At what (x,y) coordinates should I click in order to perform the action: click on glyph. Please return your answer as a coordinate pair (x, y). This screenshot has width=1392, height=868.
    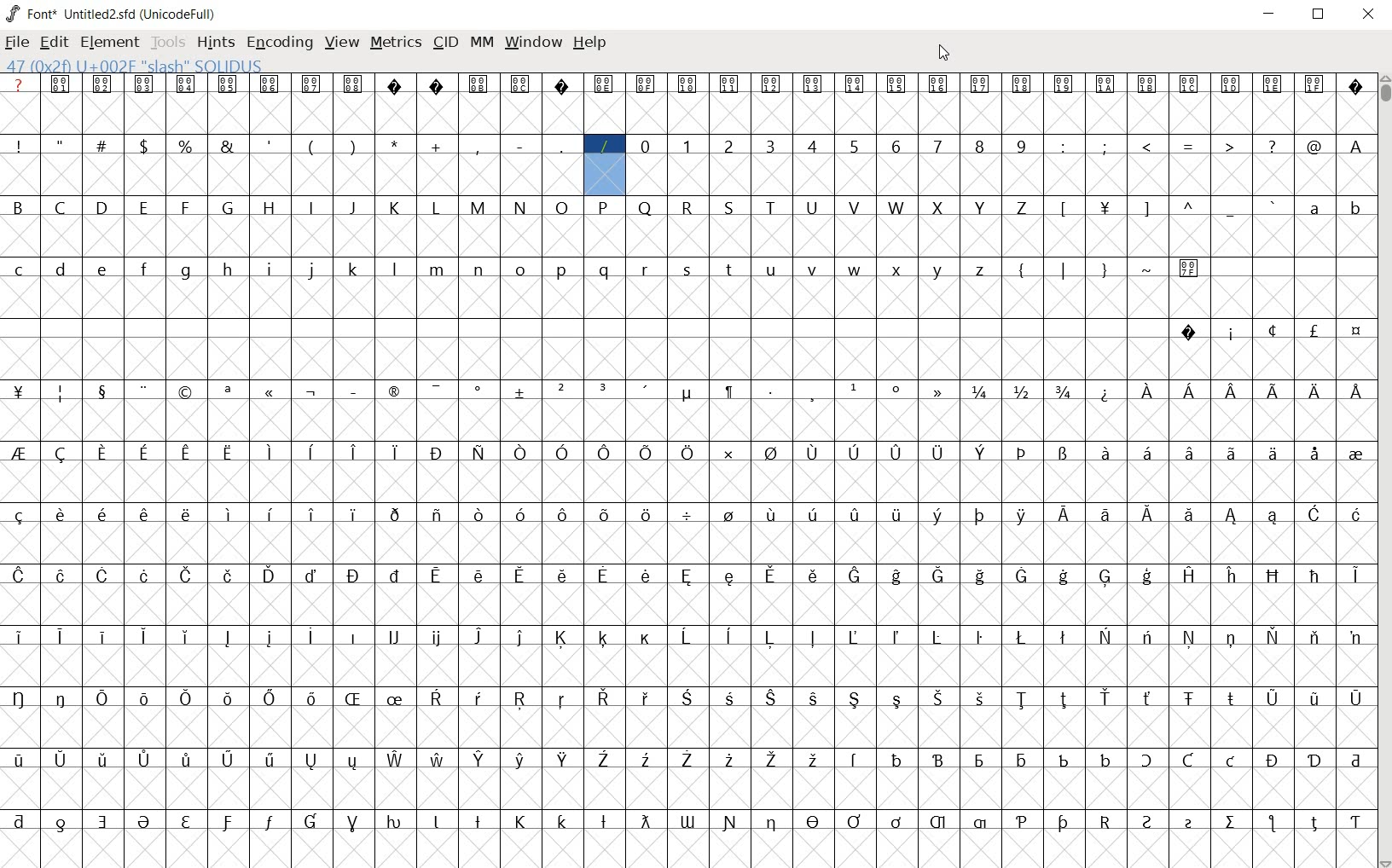
    Looking at the image, I should click on (103, 393).